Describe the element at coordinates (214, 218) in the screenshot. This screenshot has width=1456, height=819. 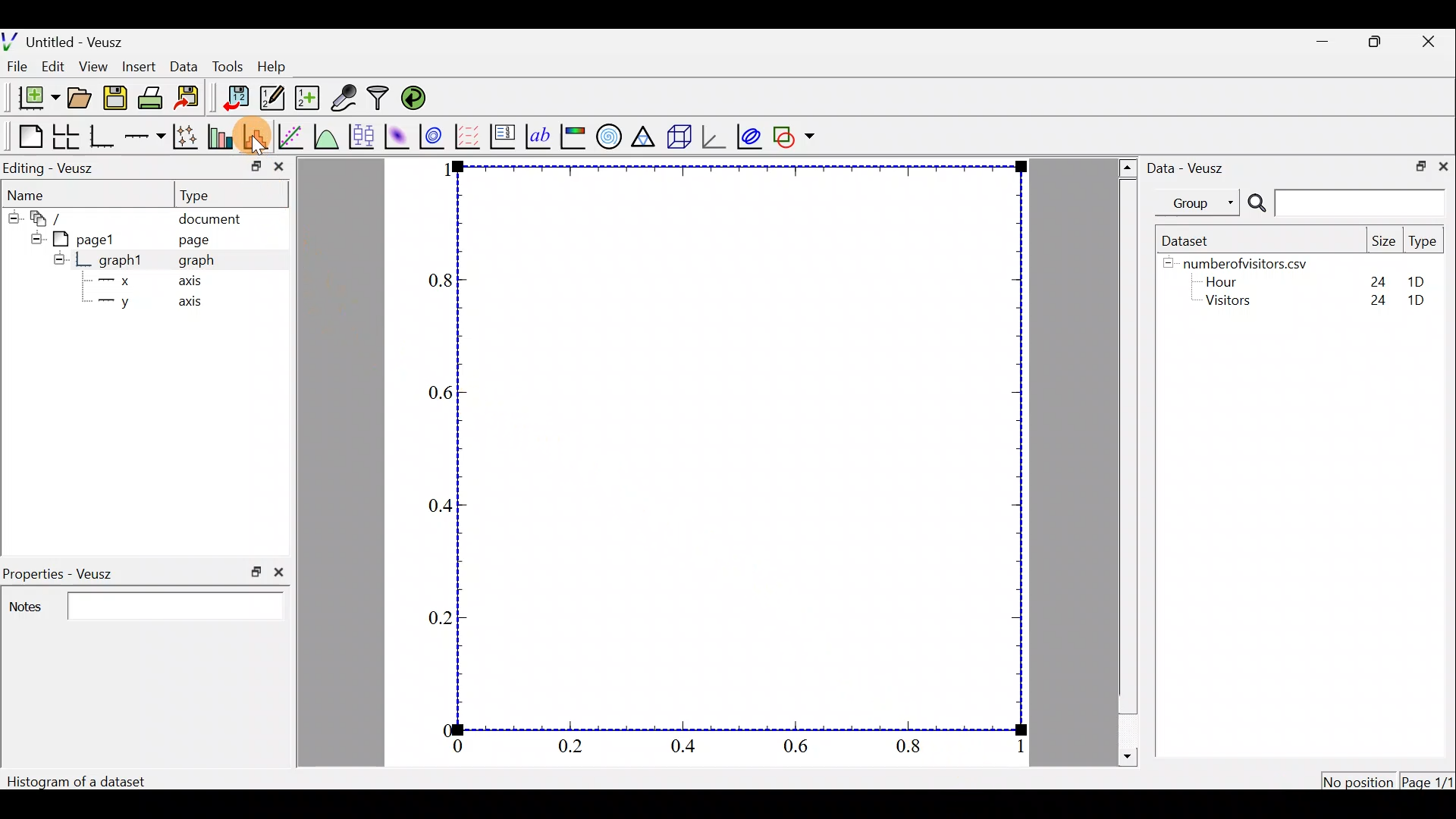
I see `document` at that location.